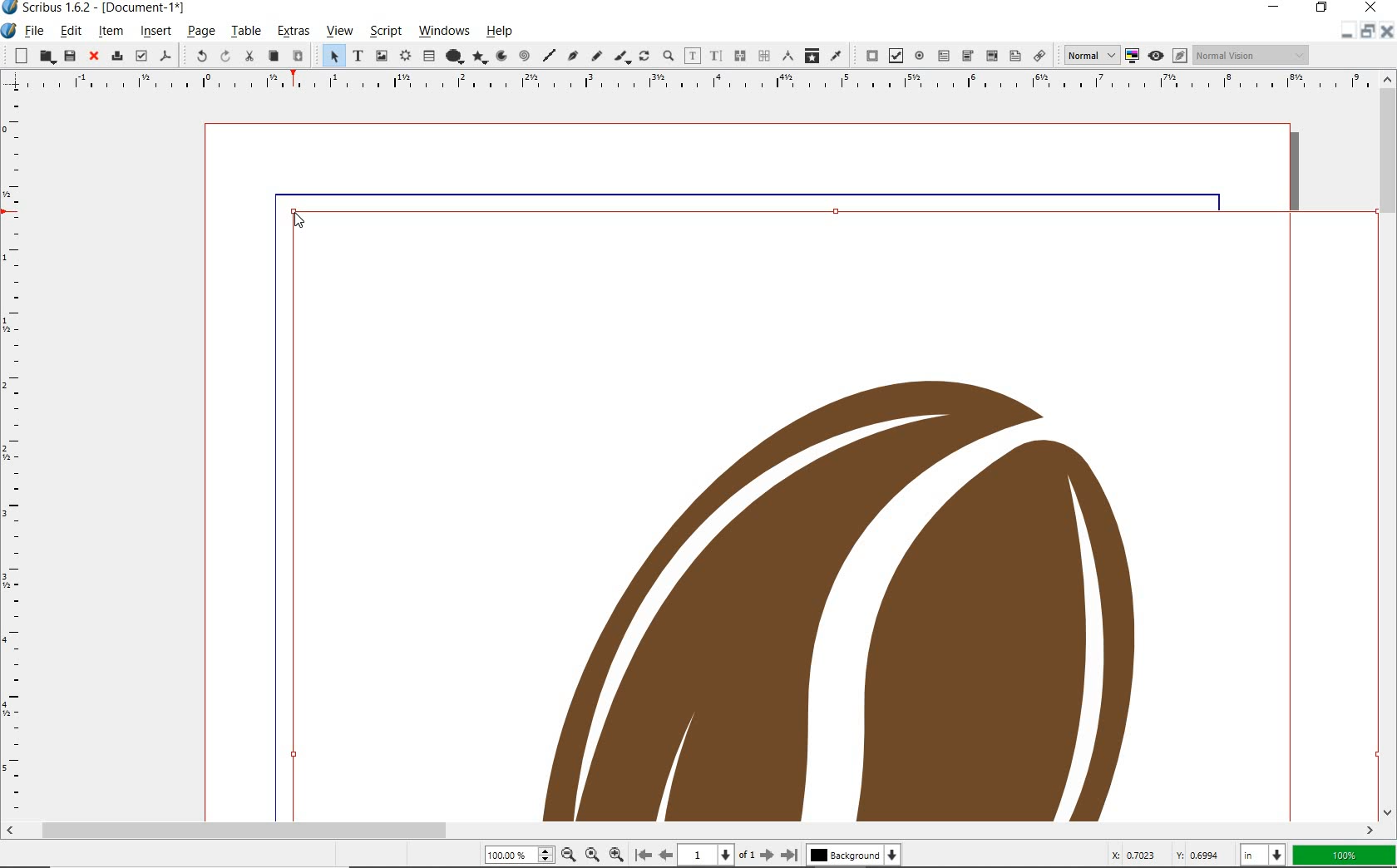 This screenshot has width=1397, height=868. Describe the element at coordinates (116, 57) in the screenshot. I see `print` at that location.